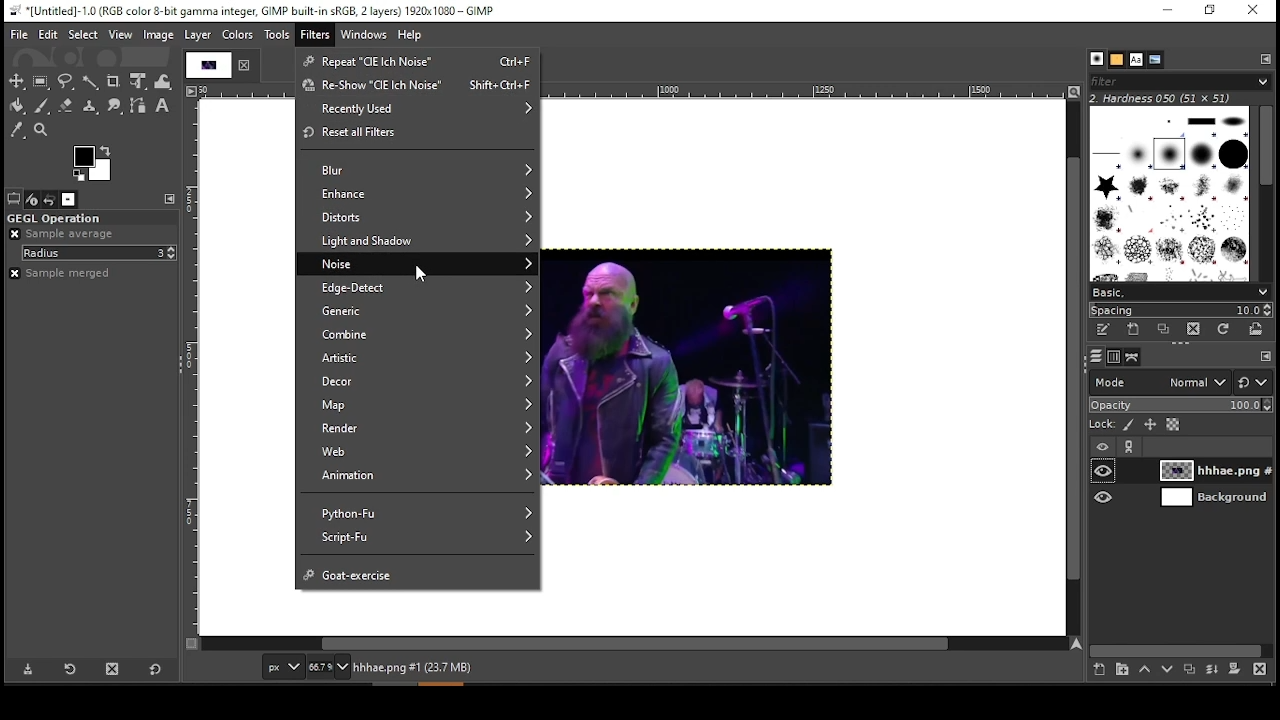 The image size is (1280, 720). I want to click on switch to other mode groups, so click(1254, 381).